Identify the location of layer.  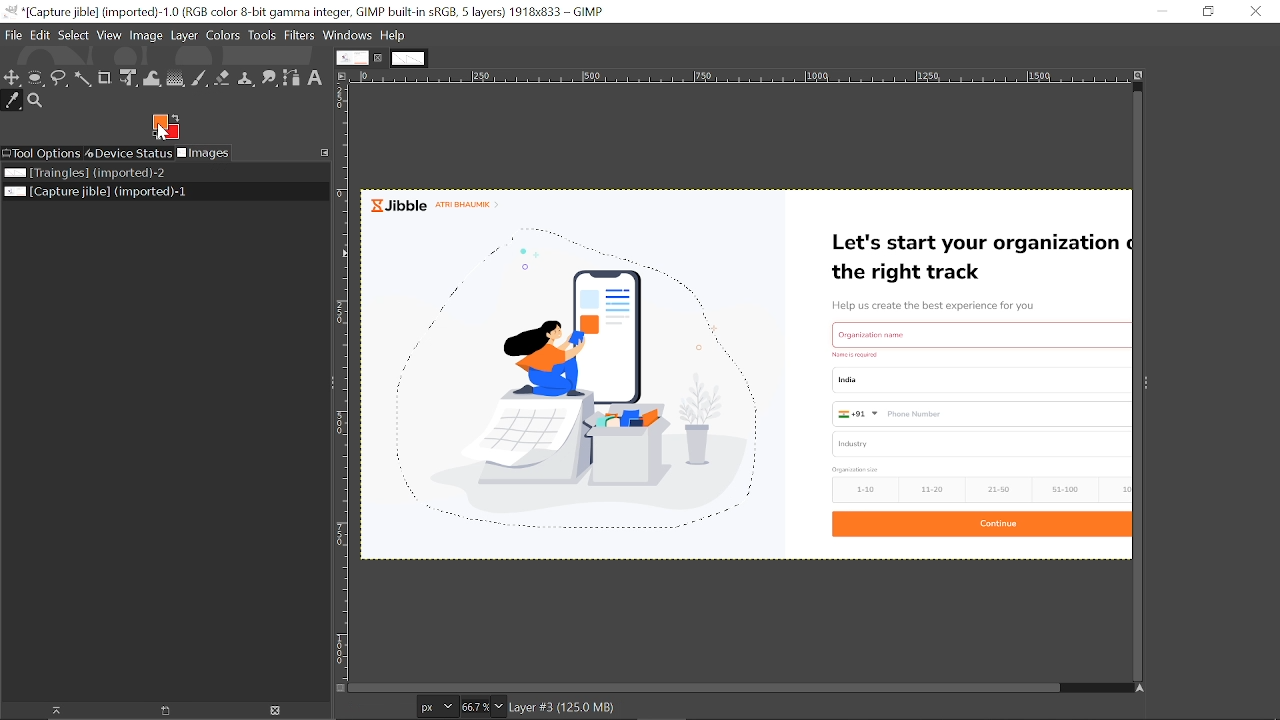
(184, 36).